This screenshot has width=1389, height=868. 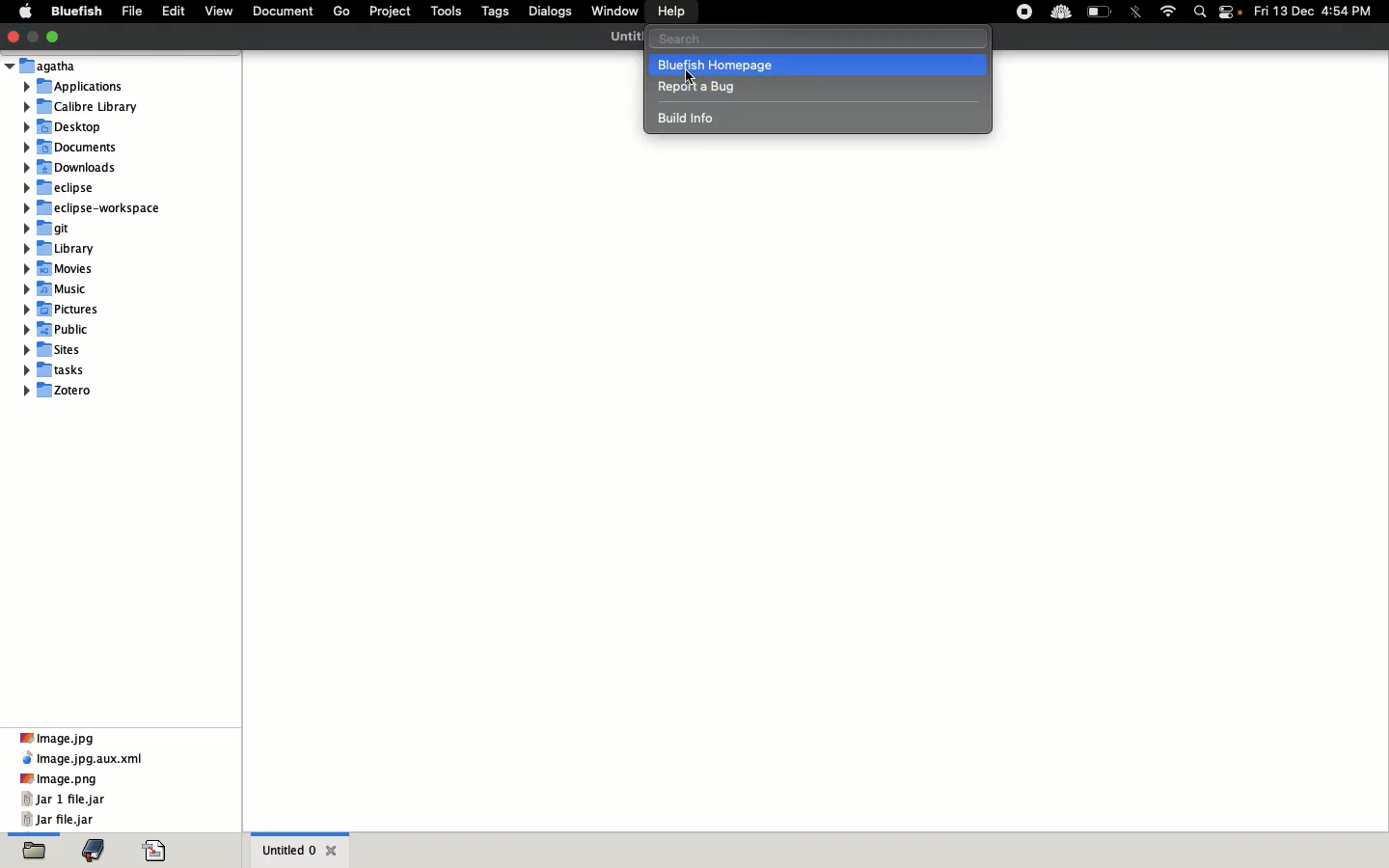 What do you see at coordinates (333, 851) in the screenshot?
I see `Close tab` at bounding box center [333, 851].